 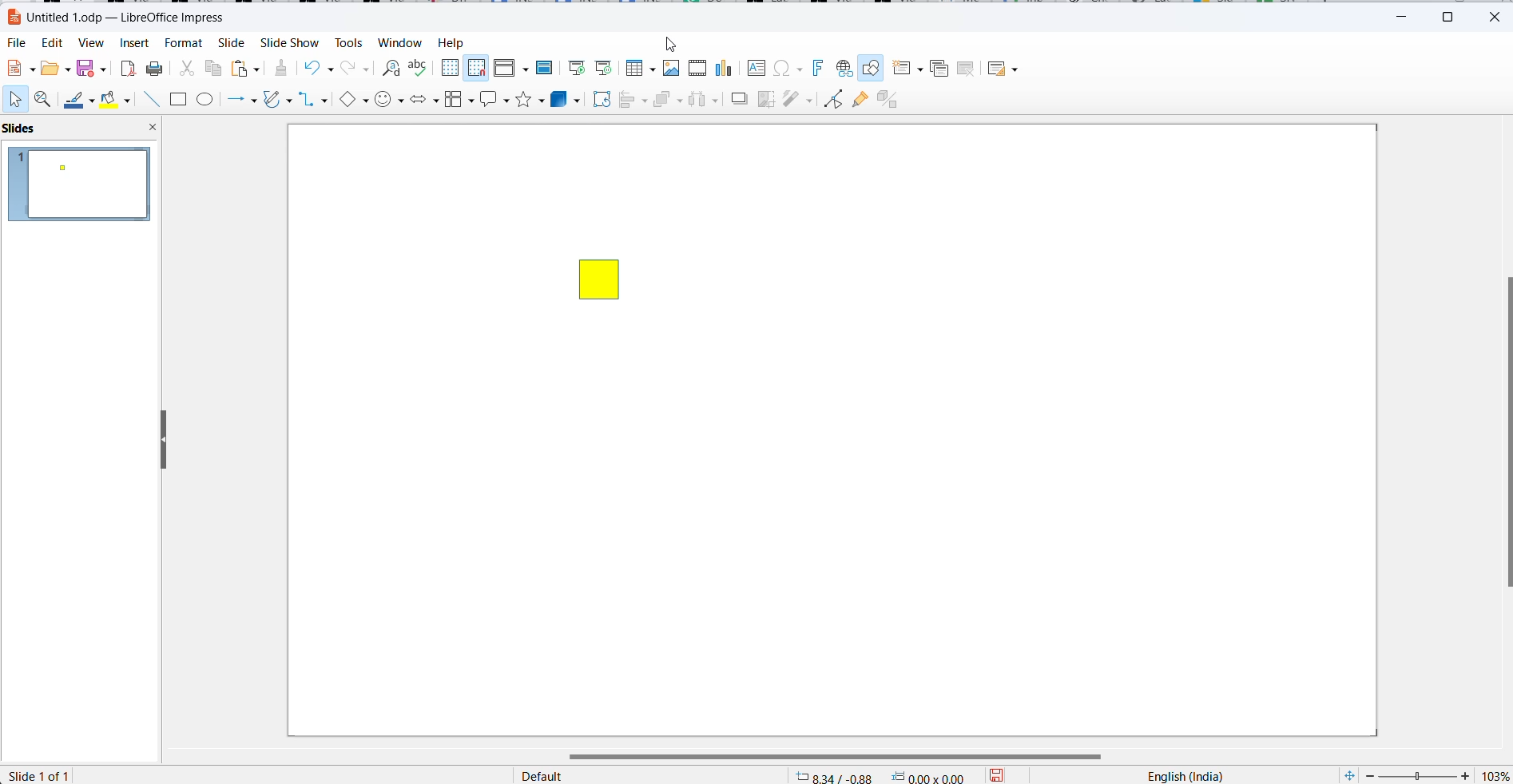 What do you see at coordinates (908, 69) in the screenshot?
I see `new slide` at bounding box center [908, 69].